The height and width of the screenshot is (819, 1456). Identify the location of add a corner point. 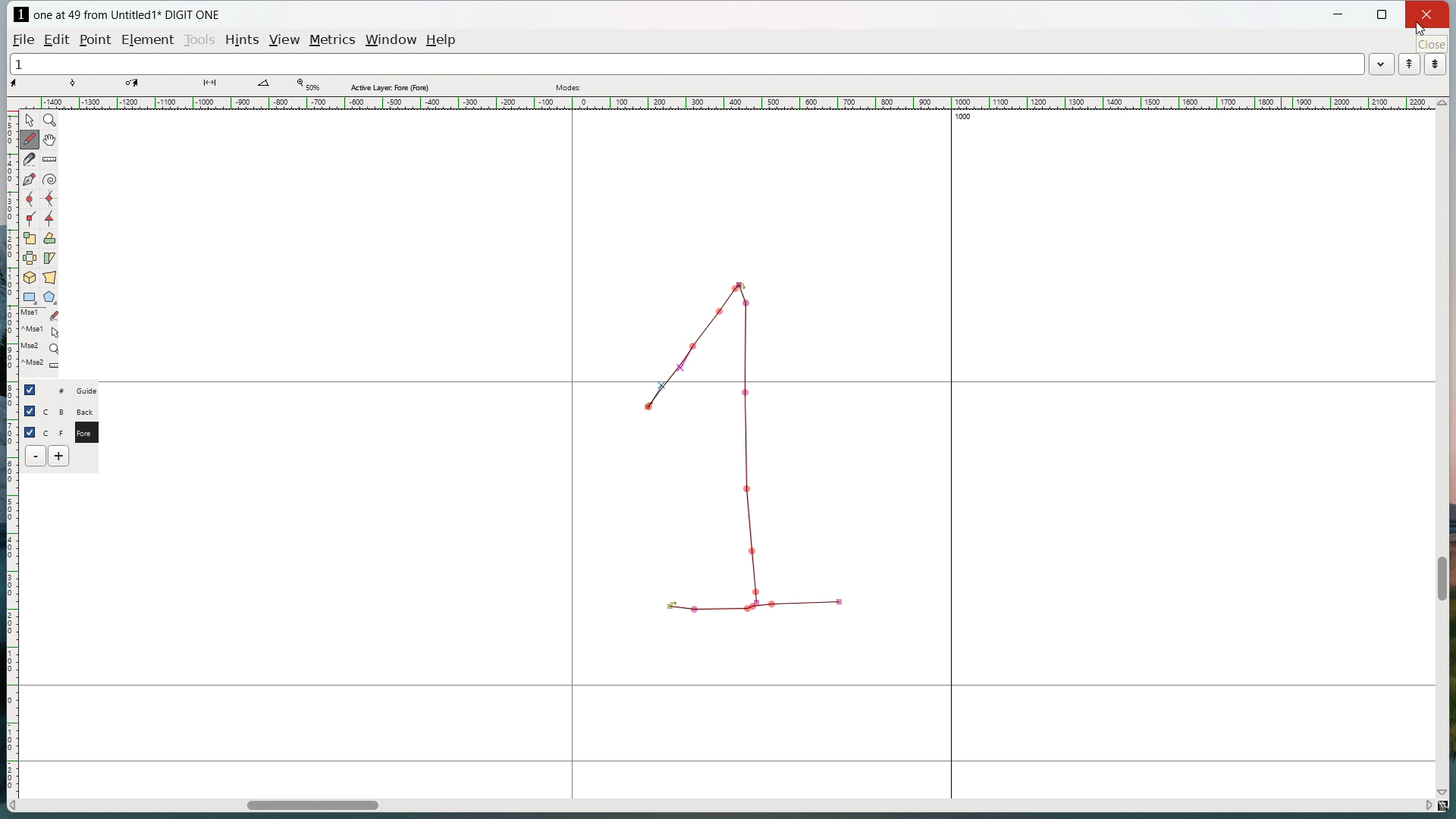
(30, 218).